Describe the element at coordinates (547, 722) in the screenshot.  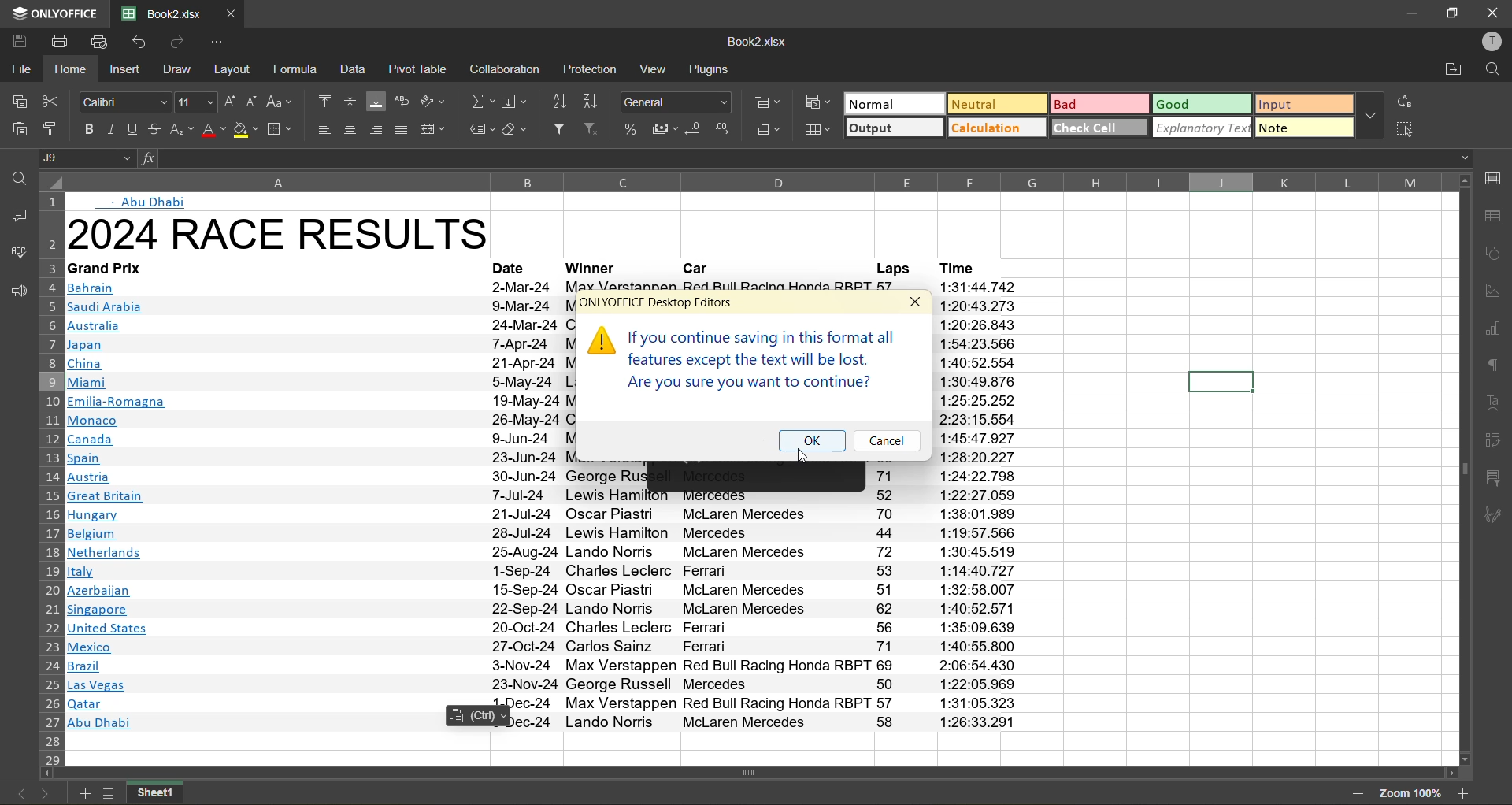
I see `text info` at that location.